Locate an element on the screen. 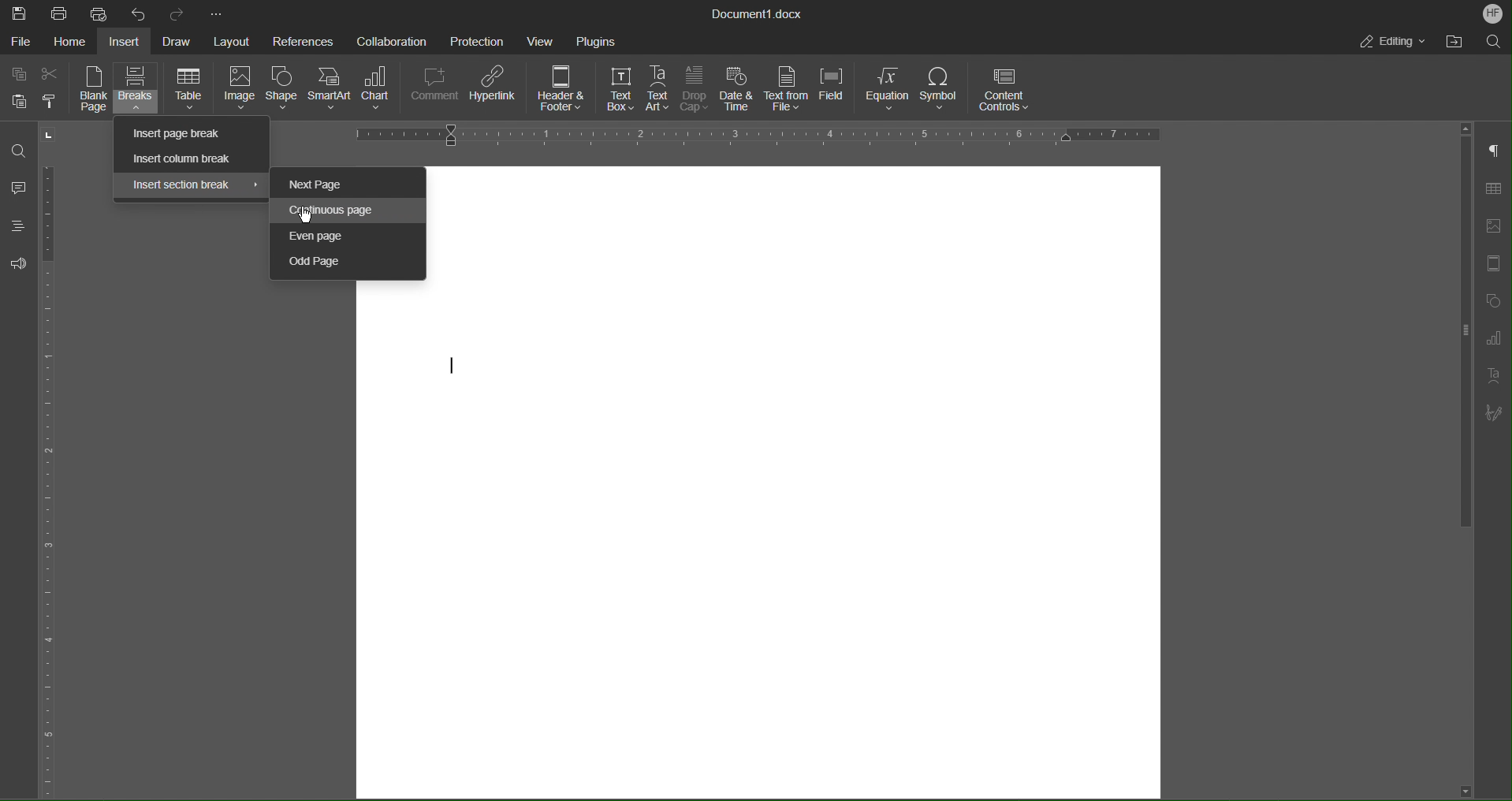  Collaboration is located at coordinates (386, 39).